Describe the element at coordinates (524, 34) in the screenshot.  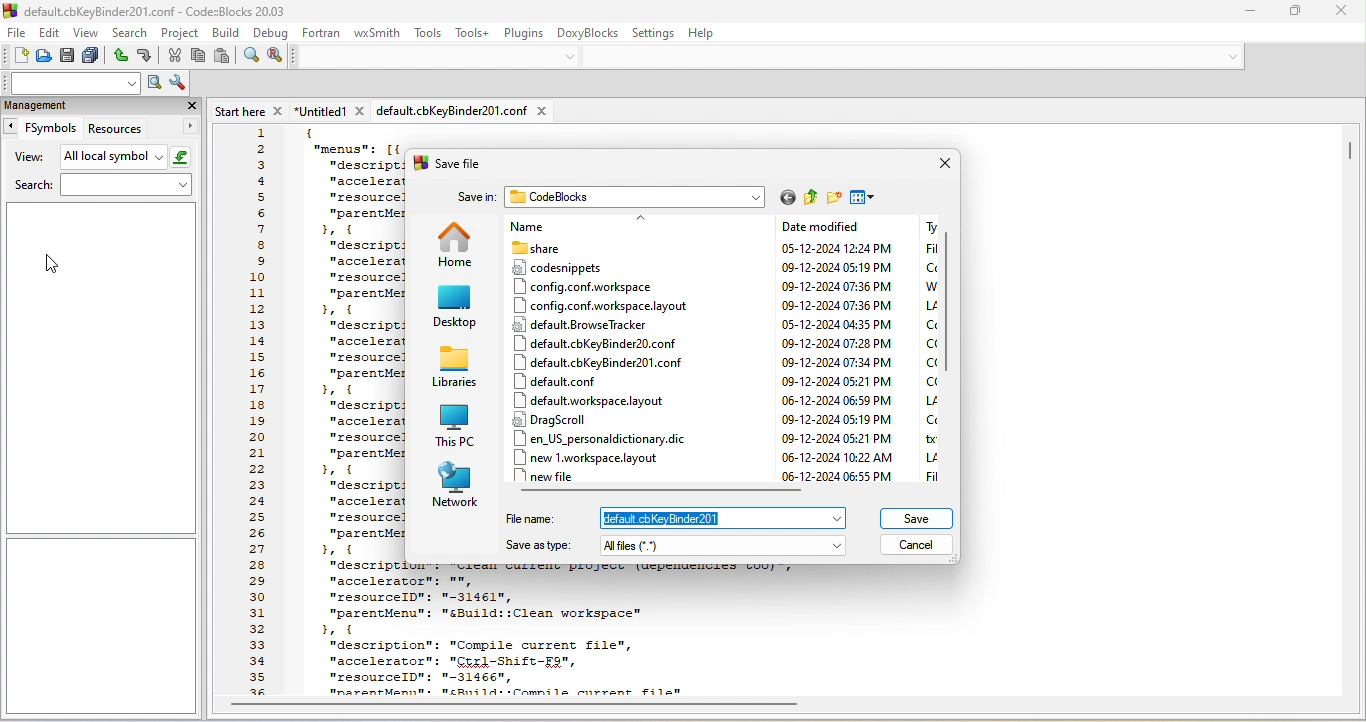
I see `plugins` at that location.